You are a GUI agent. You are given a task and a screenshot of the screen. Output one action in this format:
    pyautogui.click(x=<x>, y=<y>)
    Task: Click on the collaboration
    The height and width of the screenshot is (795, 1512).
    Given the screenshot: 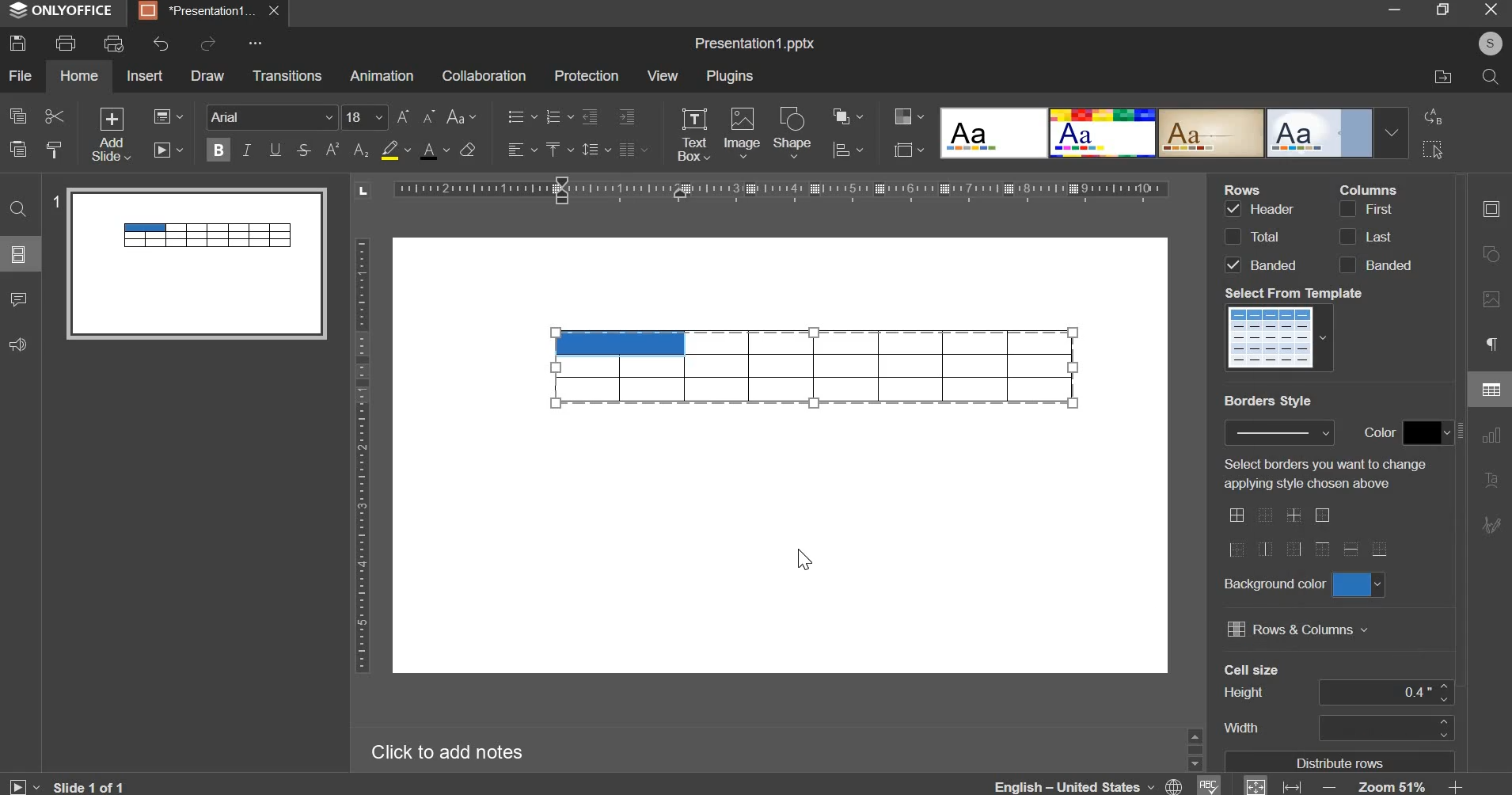 What is the action you would take?
    pyautogui.click(x=483, y=75)
    